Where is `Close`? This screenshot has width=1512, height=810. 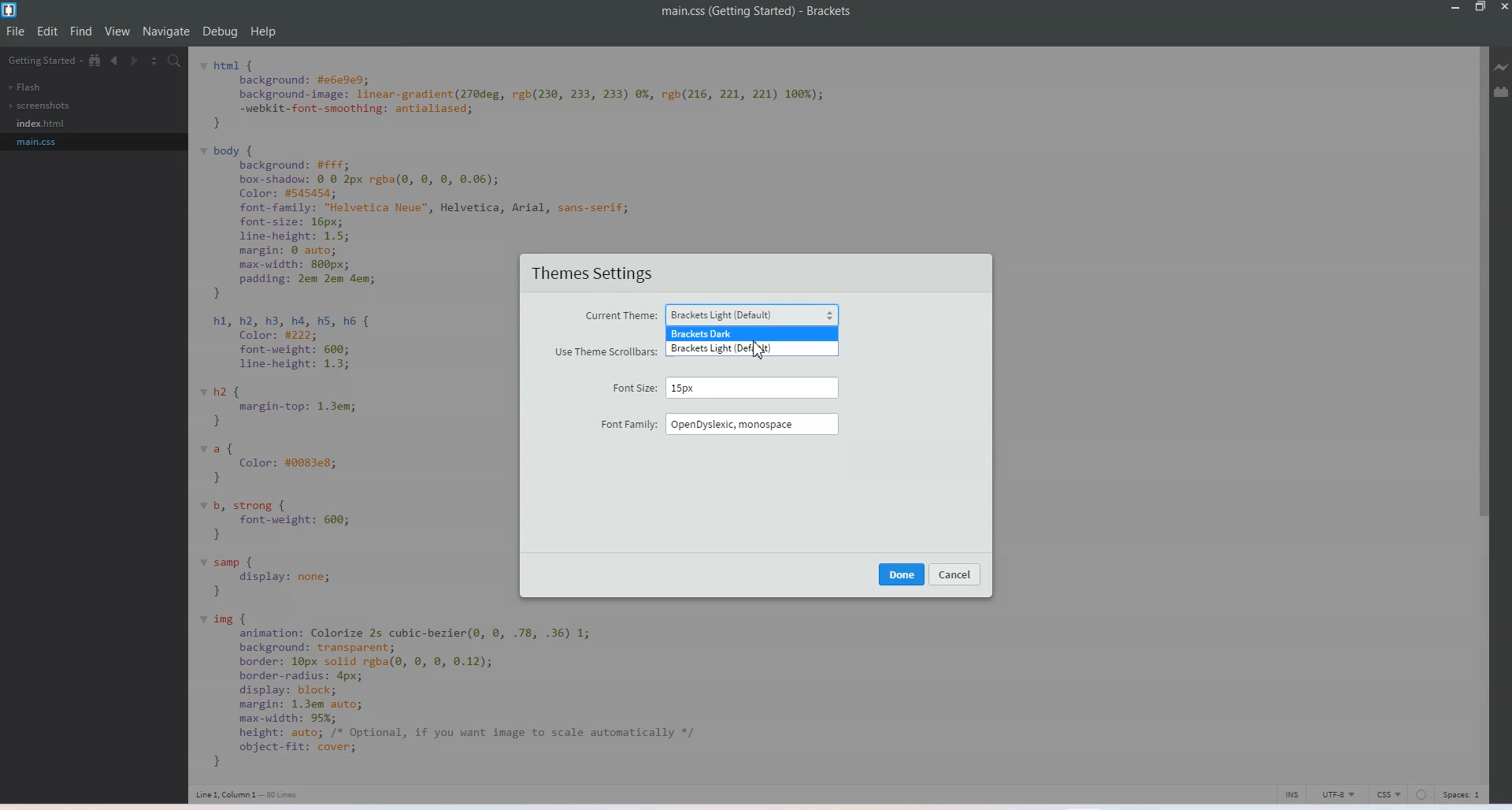 Close is located at coordinates (1503, 8).